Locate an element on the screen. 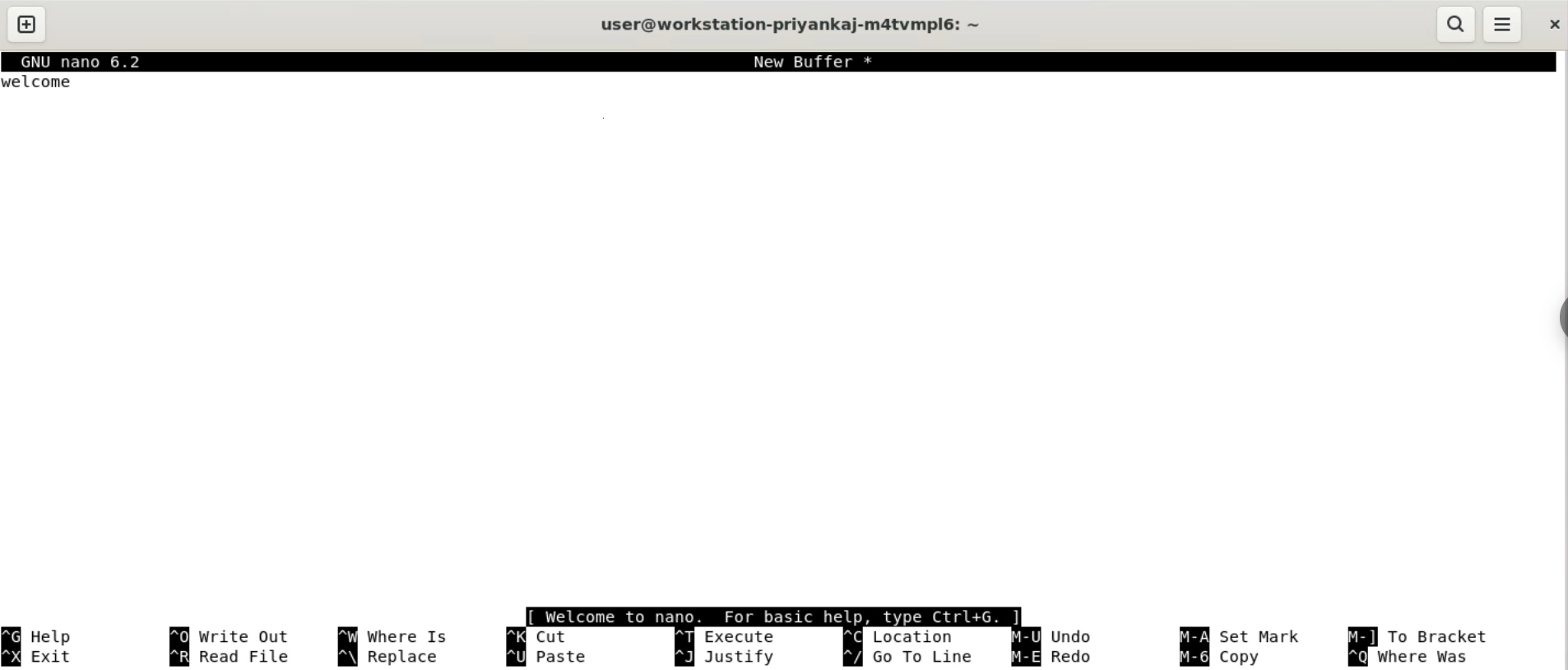 Image resolution: width=1568 pixels, height=670 pixels. where is is located at coordinates (391, 635).